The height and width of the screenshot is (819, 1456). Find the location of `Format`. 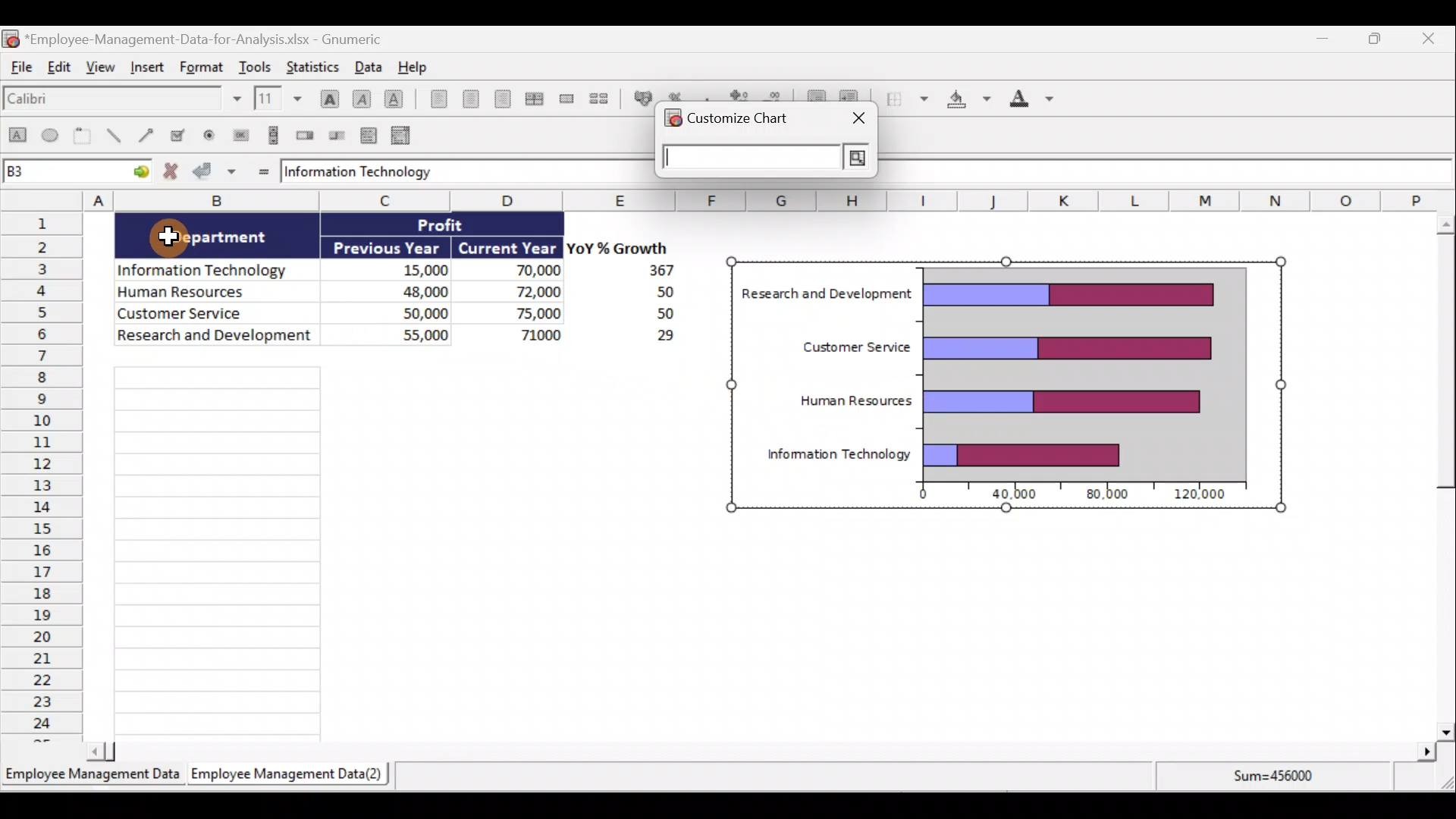

Format is located at coordinates (206, 65).